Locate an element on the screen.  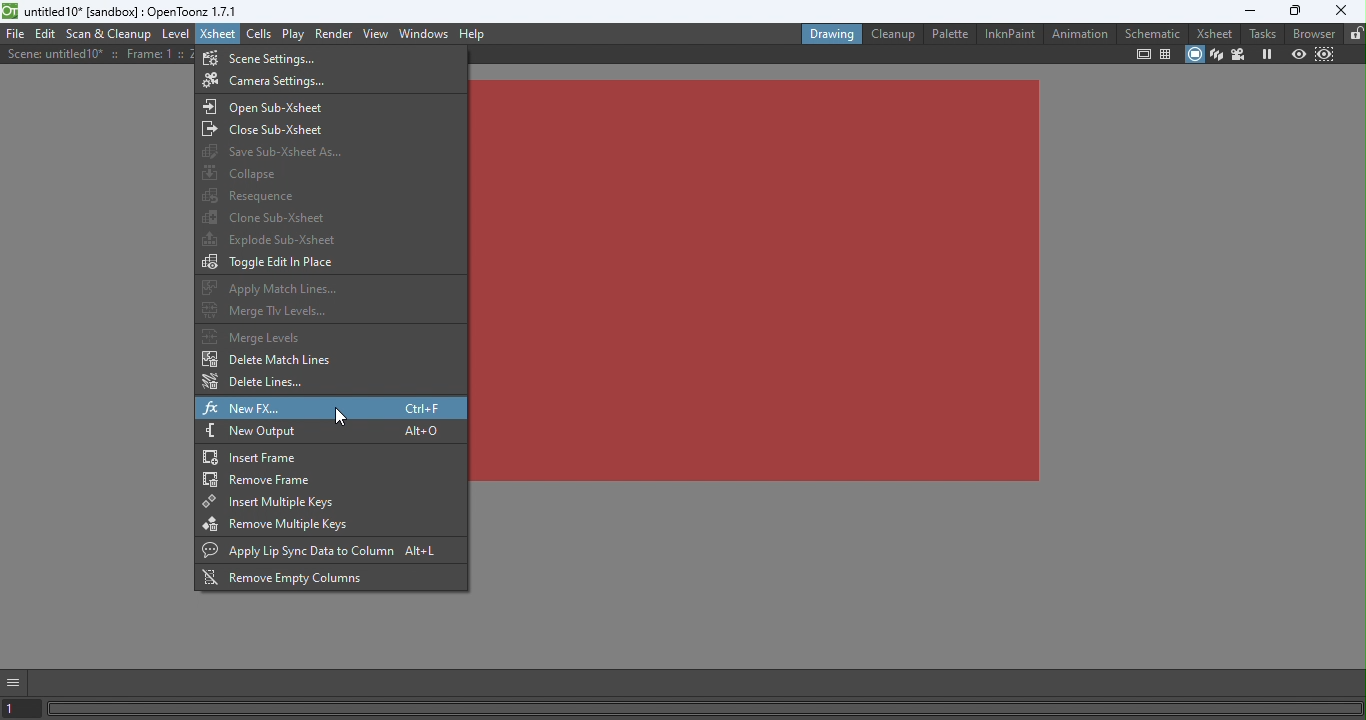
Insert Multiple keys is located at coordinates (326, 501).